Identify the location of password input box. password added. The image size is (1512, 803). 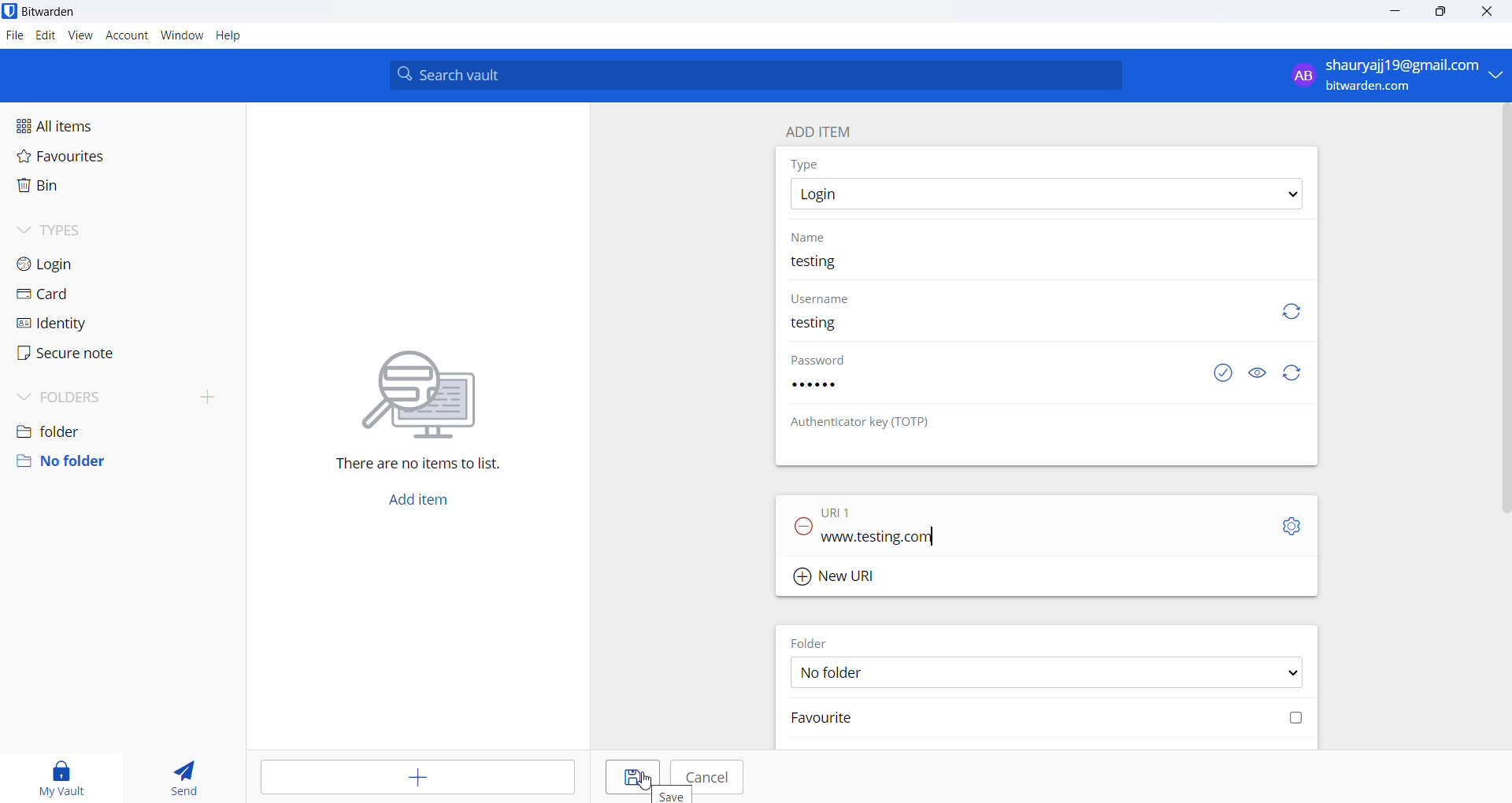
(991, 392).